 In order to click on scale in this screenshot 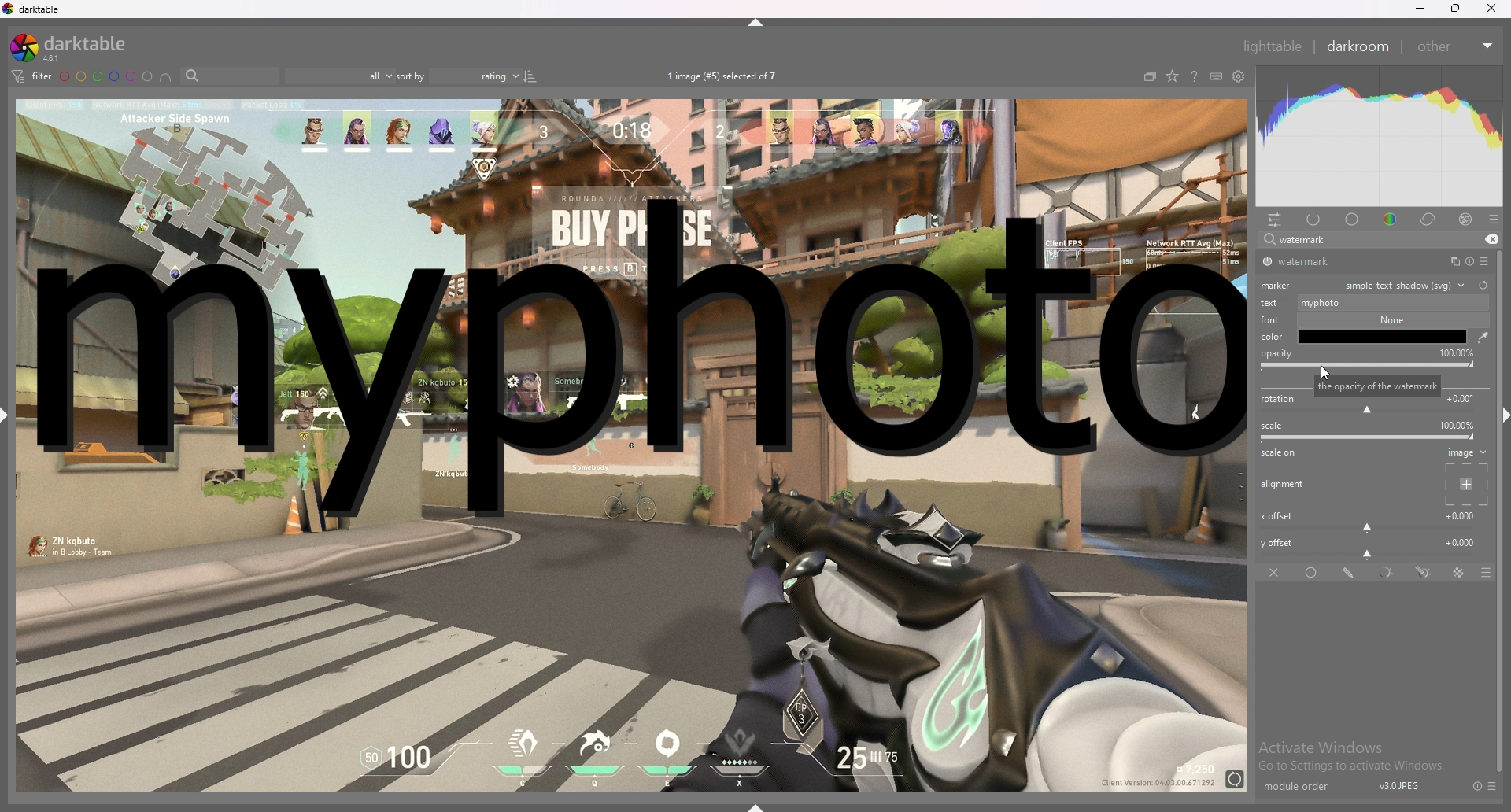, I will do `click(1371, 431)`.